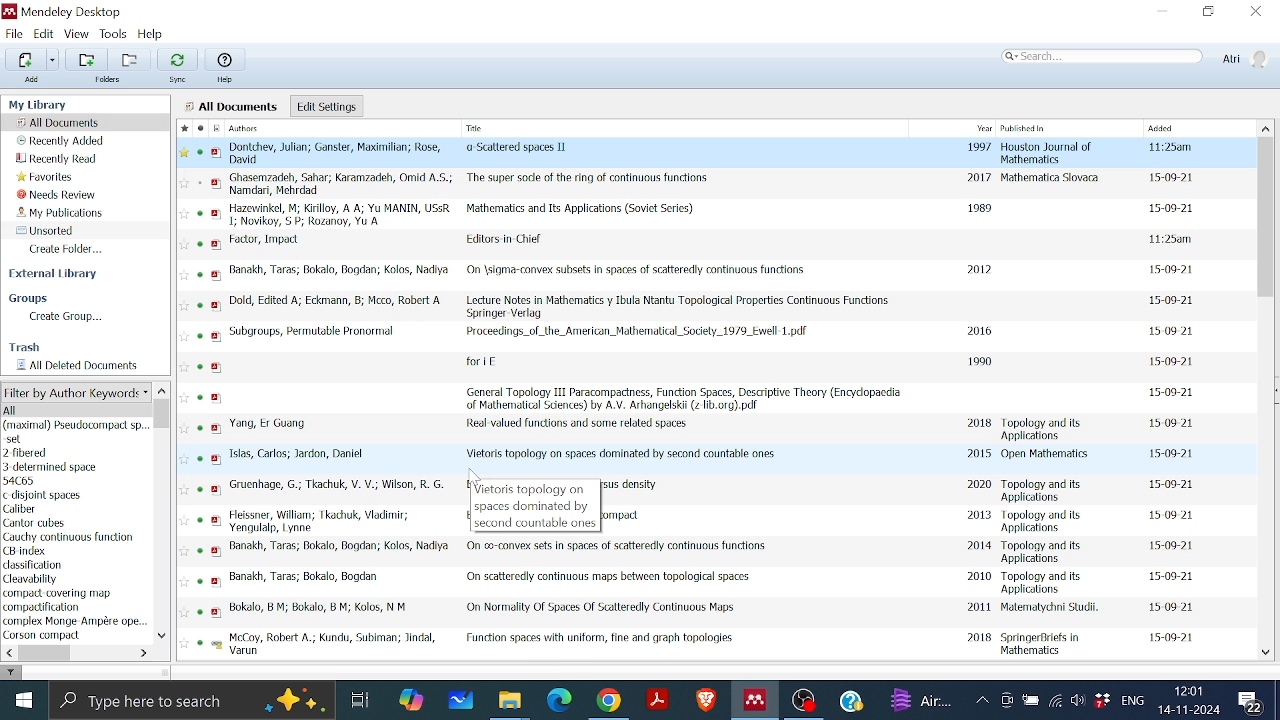  I want to click on My publications, so click(68, 213).